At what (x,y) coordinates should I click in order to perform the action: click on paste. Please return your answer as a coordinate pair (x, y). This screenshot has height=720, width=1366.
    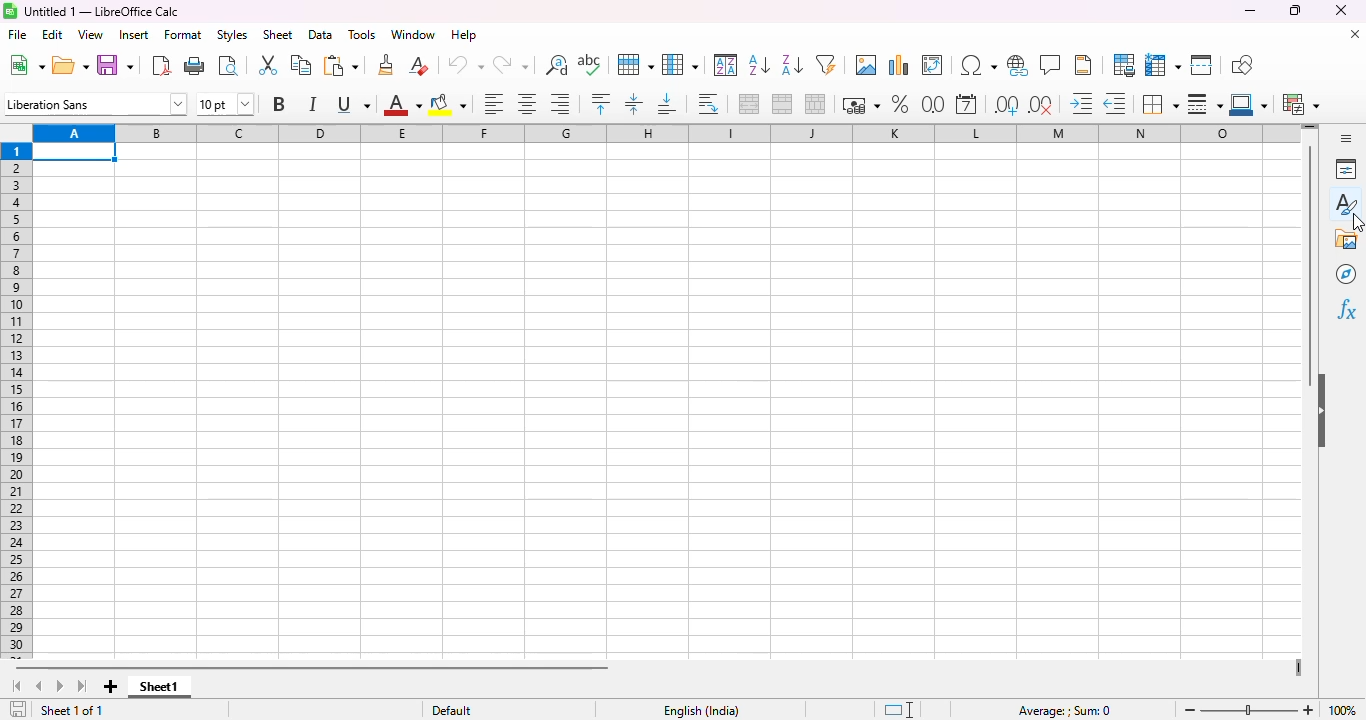
    Looking at the image, I should click on (341, 65).